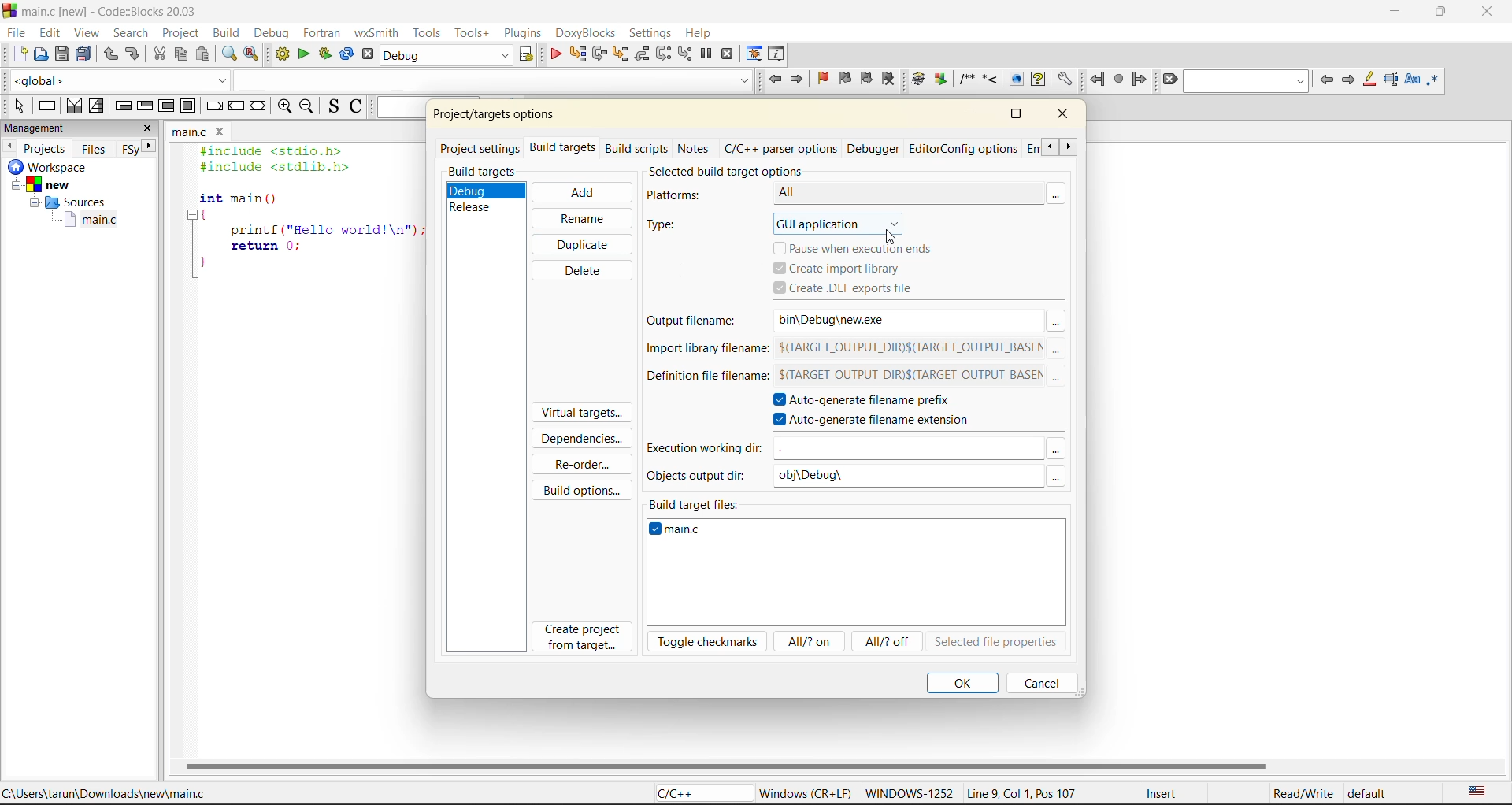  Describe the element at coordinates (345, 54) in the screenshot. I see `rebuild` at that location.